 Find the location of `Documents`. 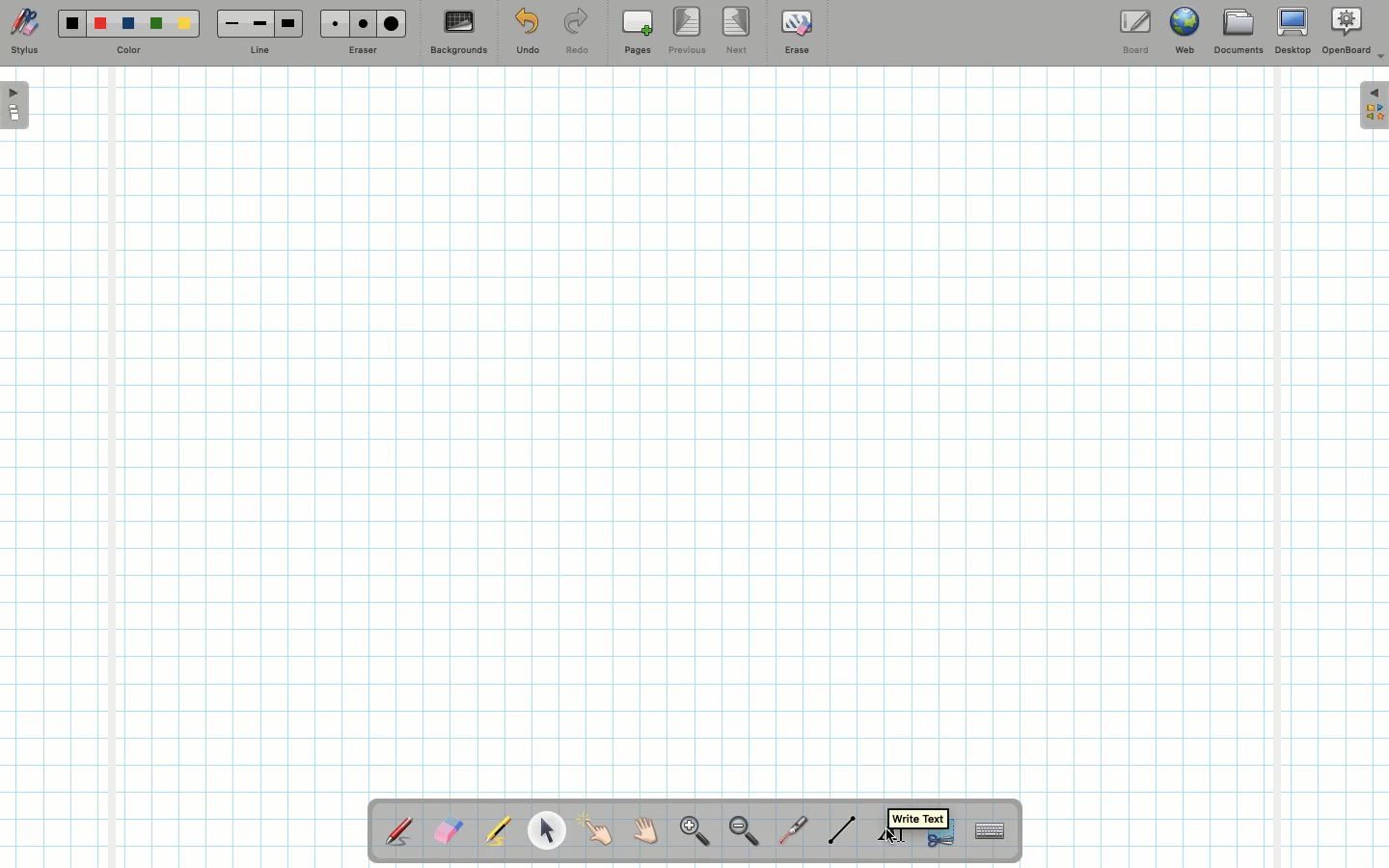

Documents is located at coordinates (1238, 34).